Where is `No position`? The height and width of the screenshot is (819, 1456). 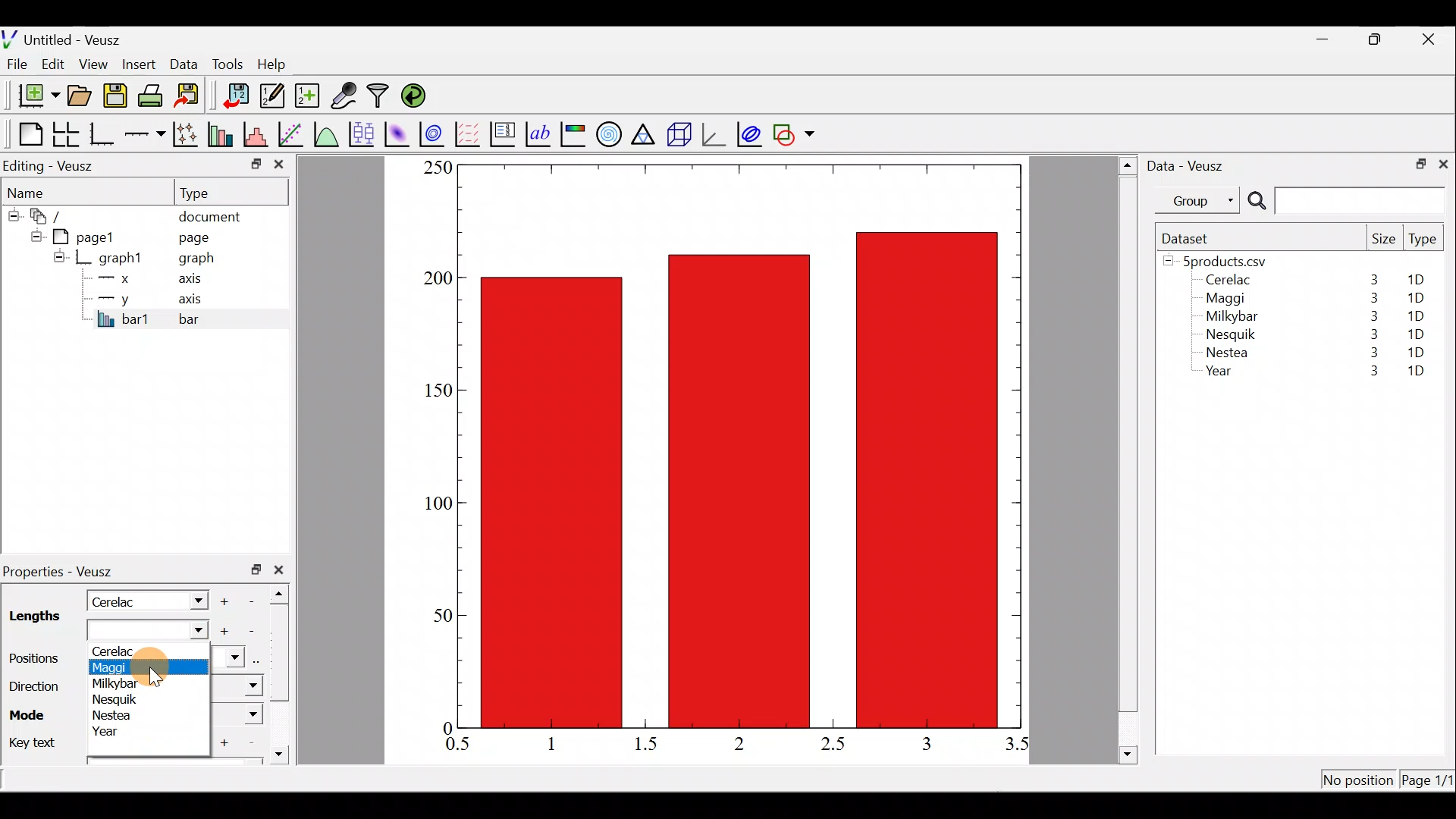
No position is located at coordinates (1359, 781).